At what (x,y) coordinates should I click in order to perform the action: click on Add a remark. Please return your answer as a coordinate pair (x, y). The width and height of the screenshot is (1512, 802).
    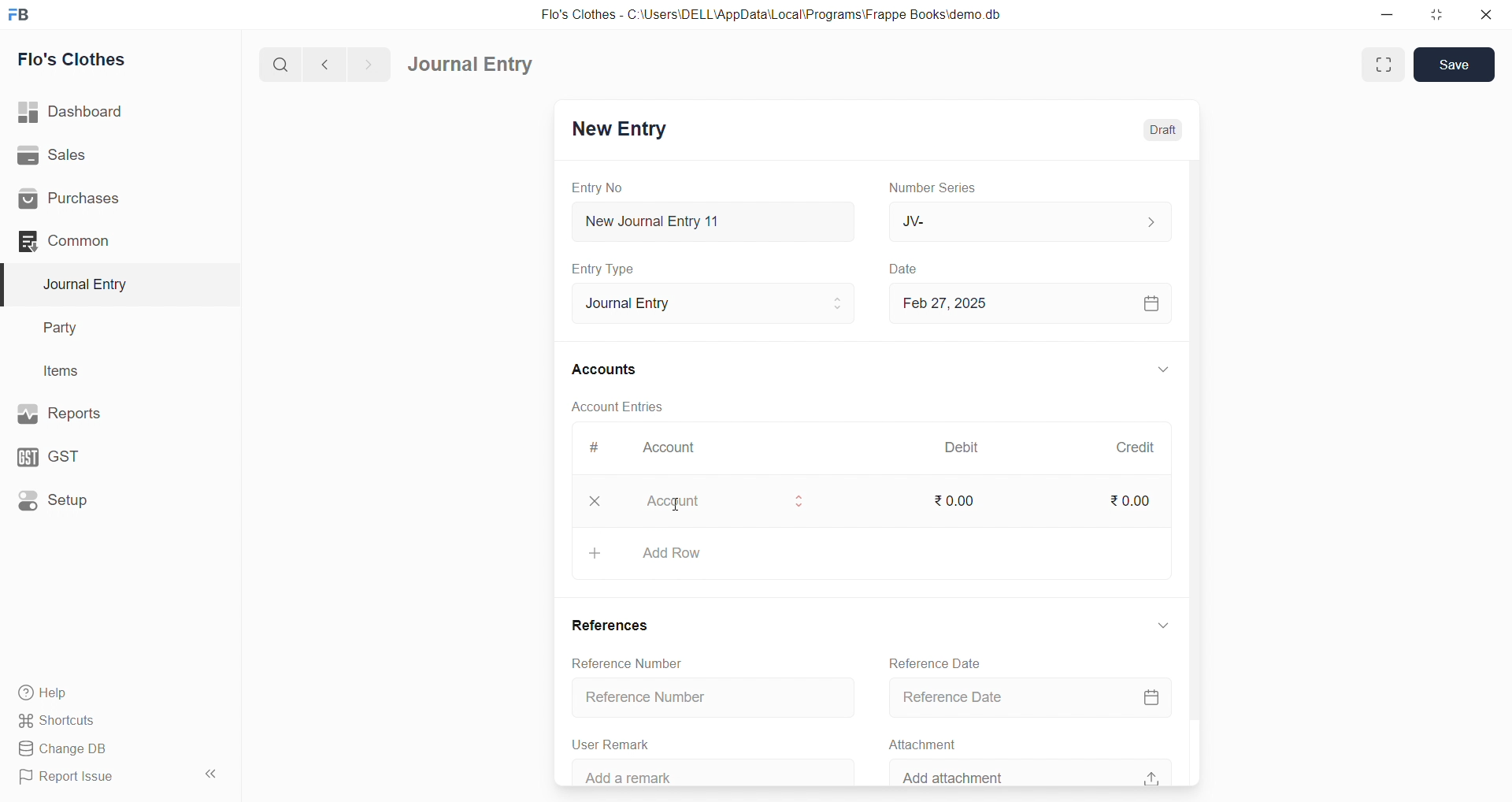
    Looking at the image, I should click on (710, 771).